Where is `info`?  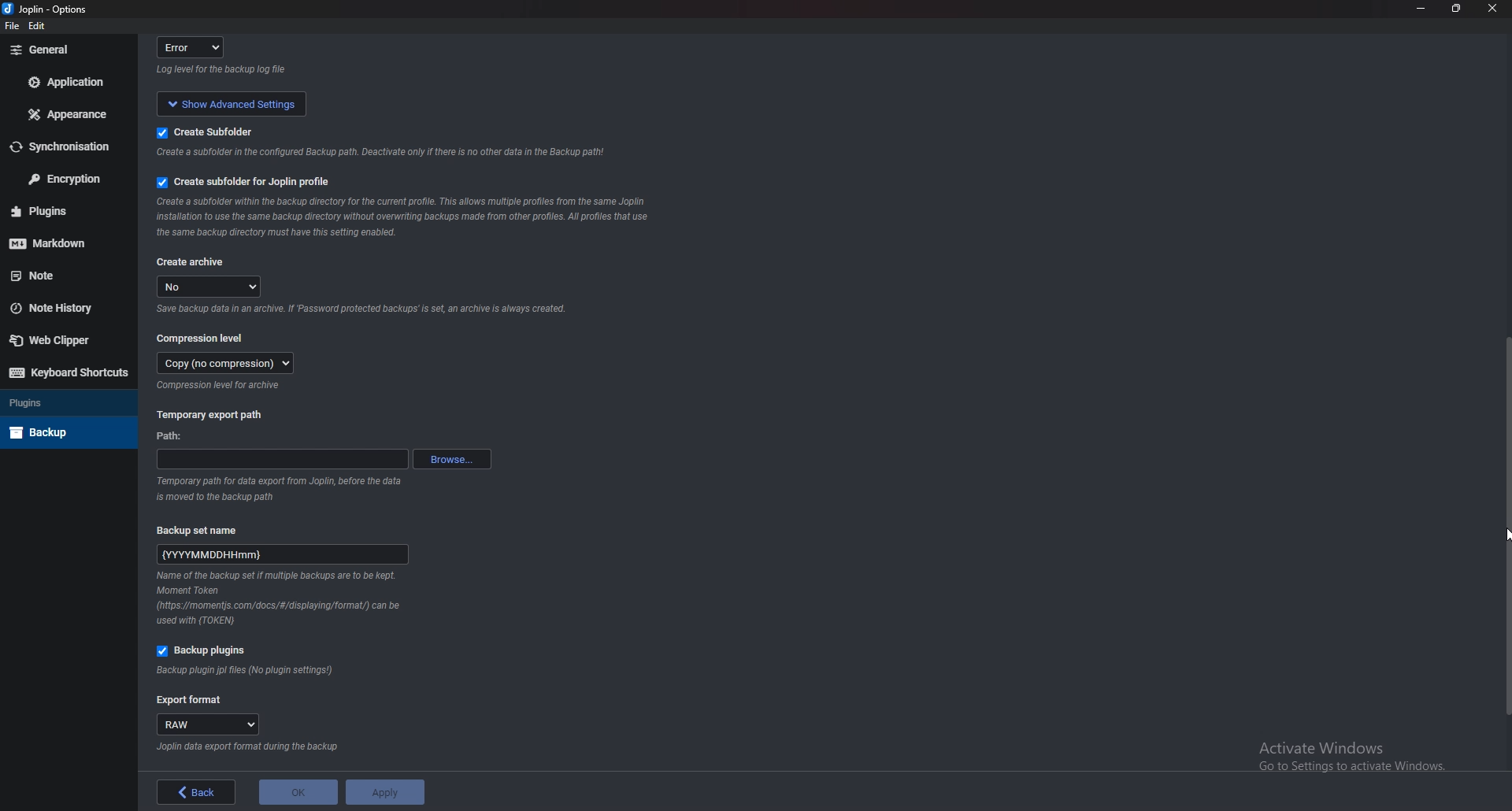 info is located at coordinates (284, 487).